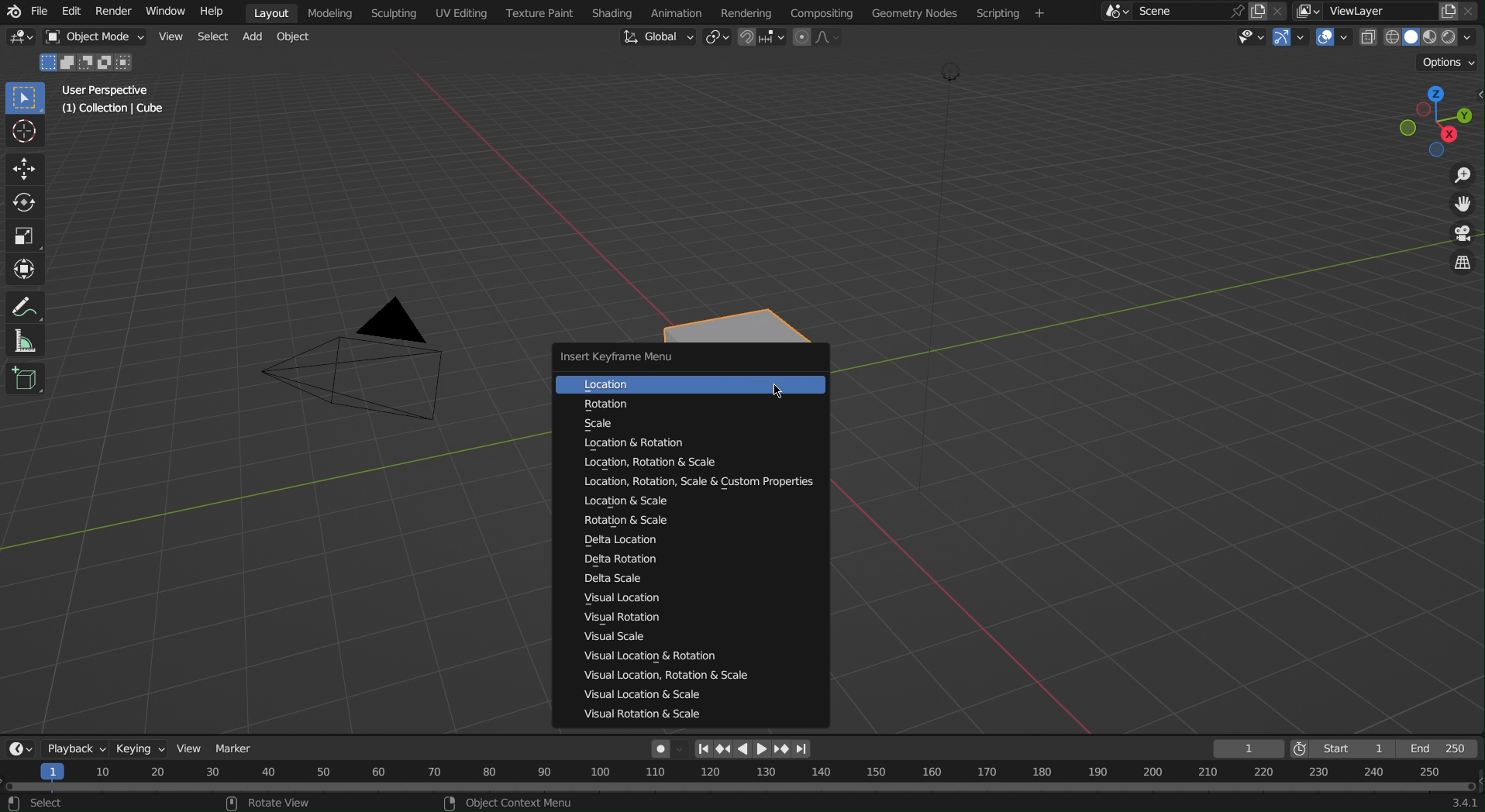  I want to click on Cursor, so click(23, 134).